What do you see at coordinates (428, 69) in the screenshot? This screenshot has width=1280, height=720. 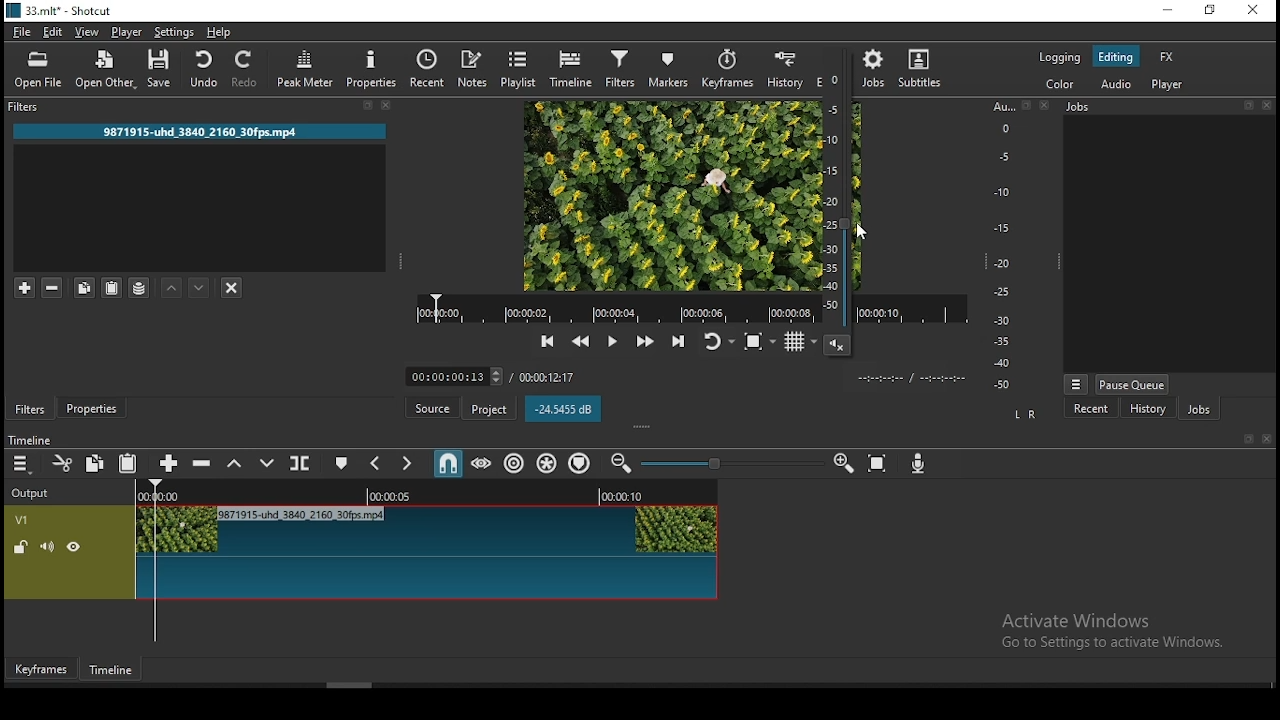 I see `split at playhead` at bounding box center [428, 69].